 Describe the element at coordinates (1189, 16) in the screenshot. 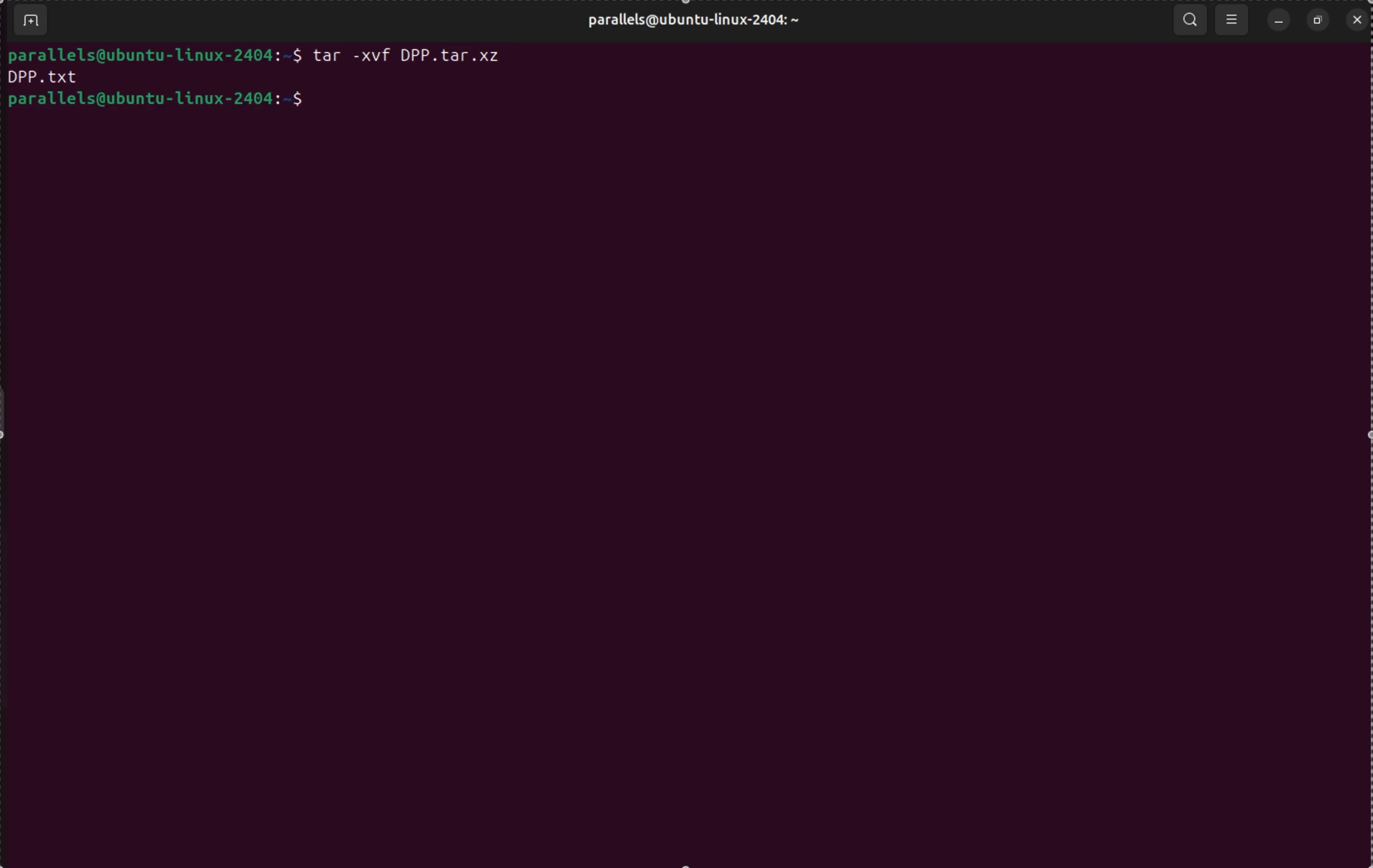

I see `search` at that location.